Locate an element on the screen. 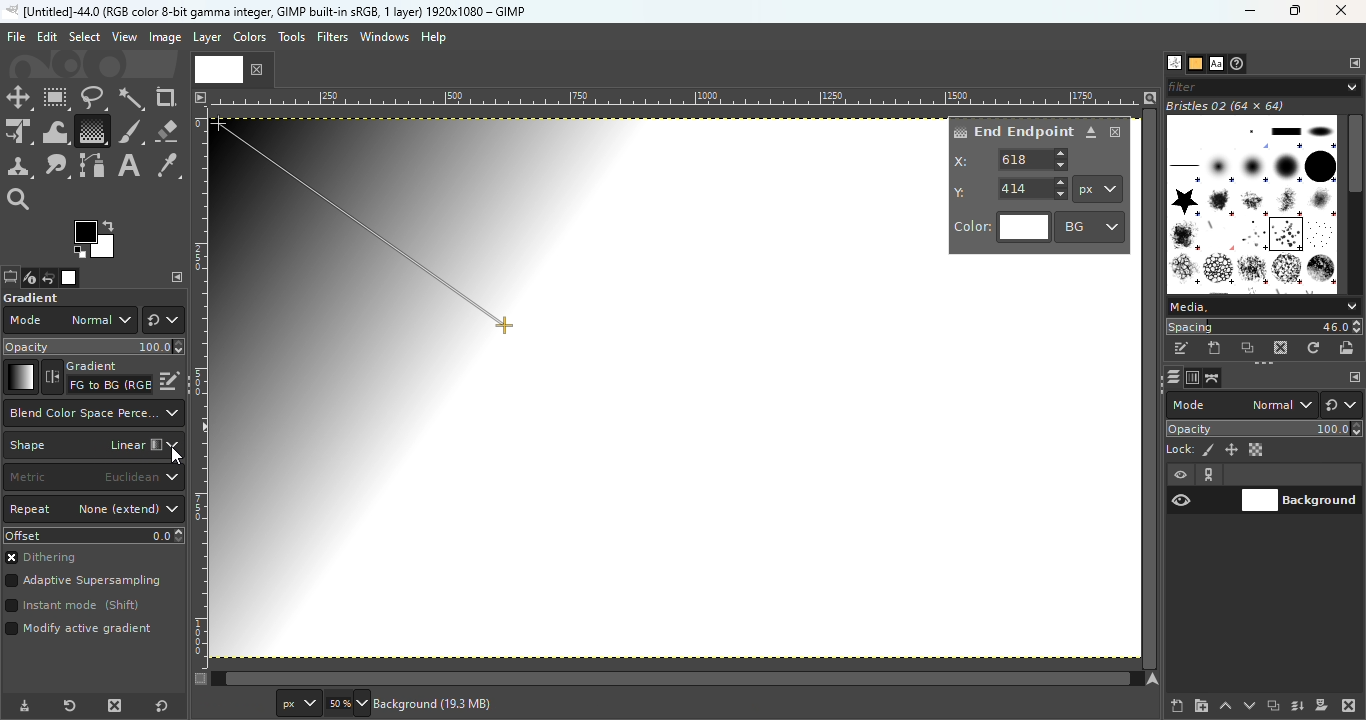 This screenshot has width=1366, height=720. Vertical scroll bar is located at coordinates (667, 679).